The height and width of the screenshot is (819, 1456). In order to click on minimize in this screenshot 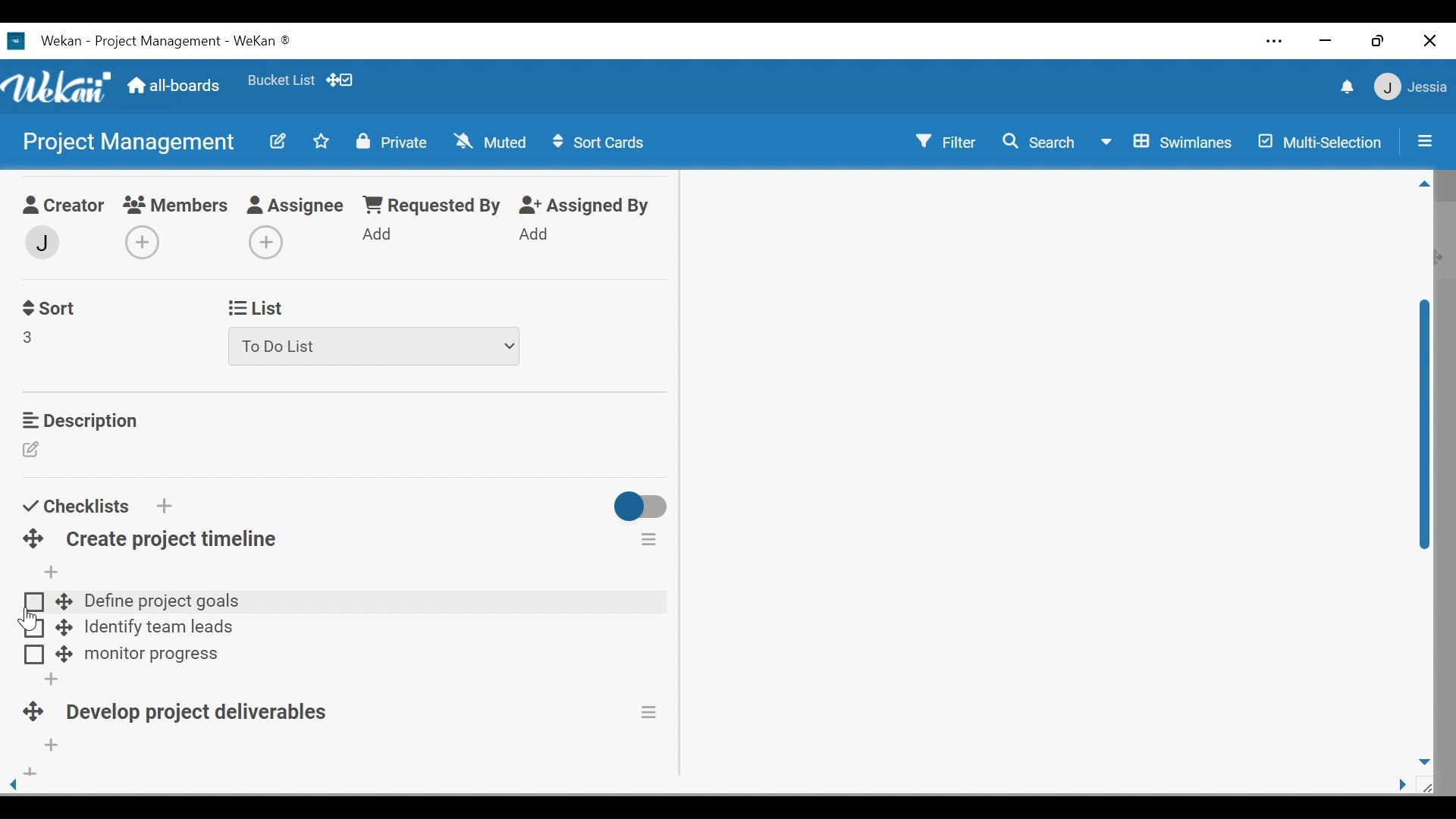, I will do `click(1326, 40)`.